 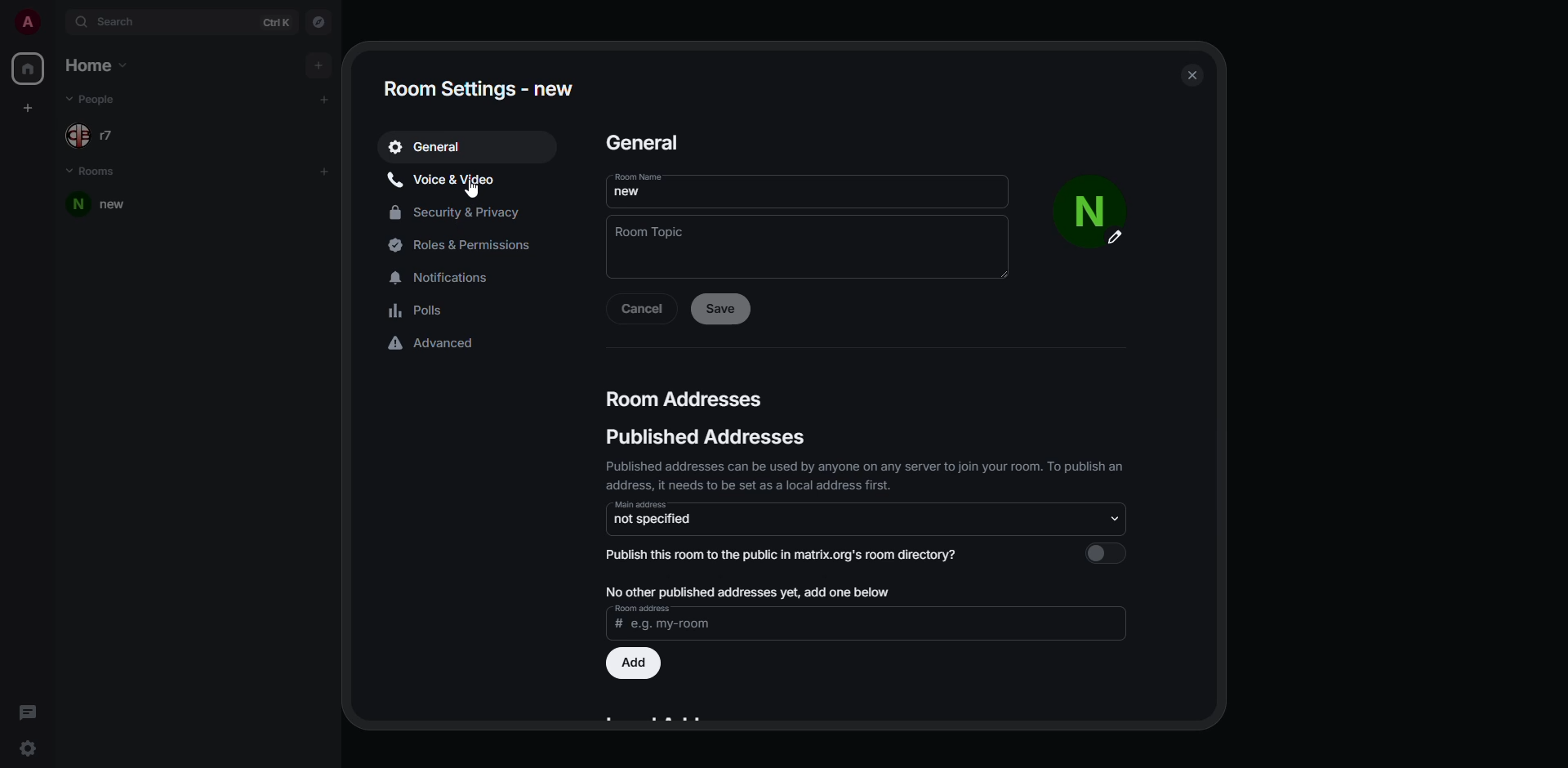 What do you see at coordinates (316, 65) in the screenshot?
I see `add` at bounding box center [316, 65].